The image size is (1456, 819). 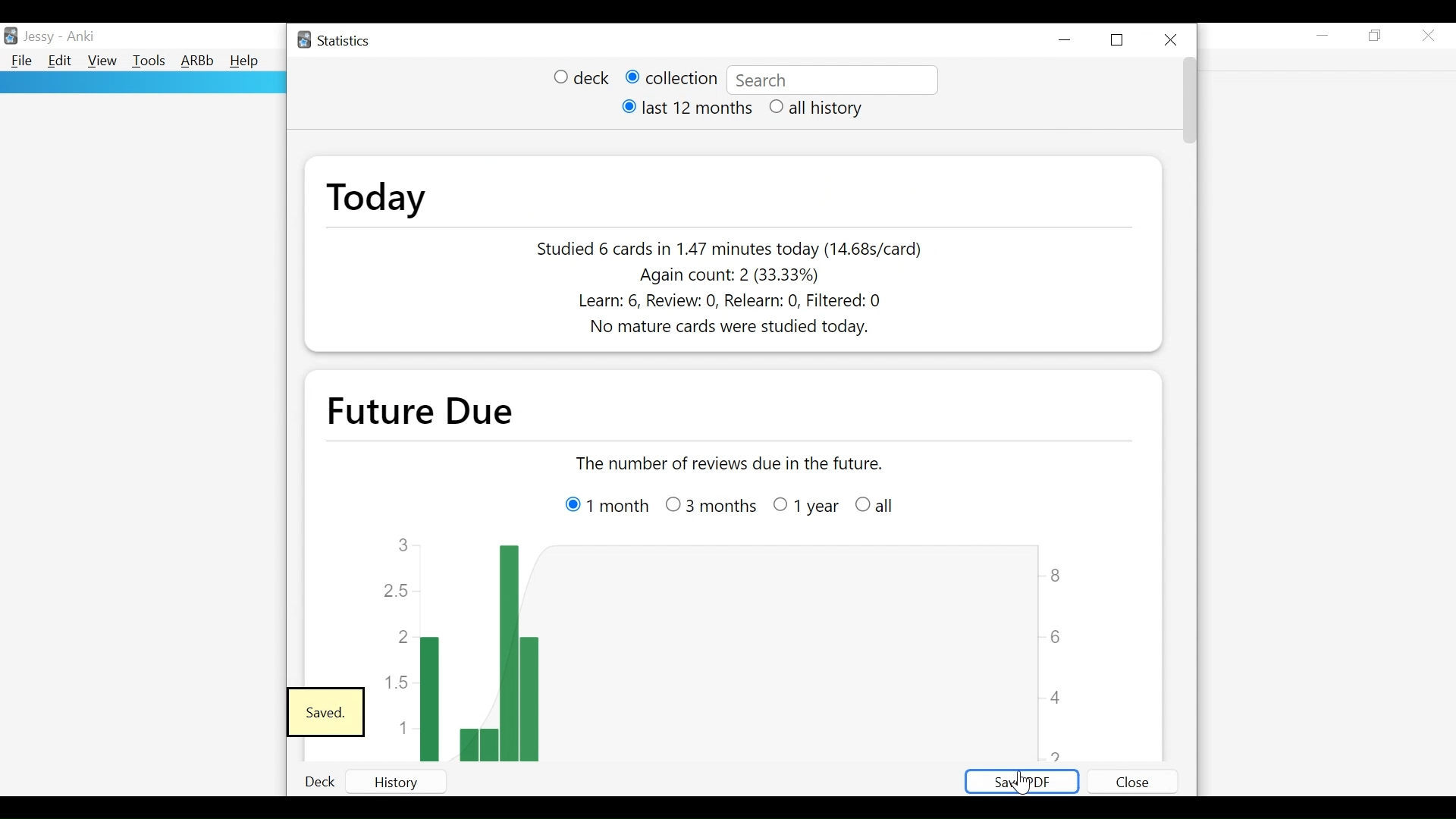 I want to click on deck:current, so click(x=831, y=80).